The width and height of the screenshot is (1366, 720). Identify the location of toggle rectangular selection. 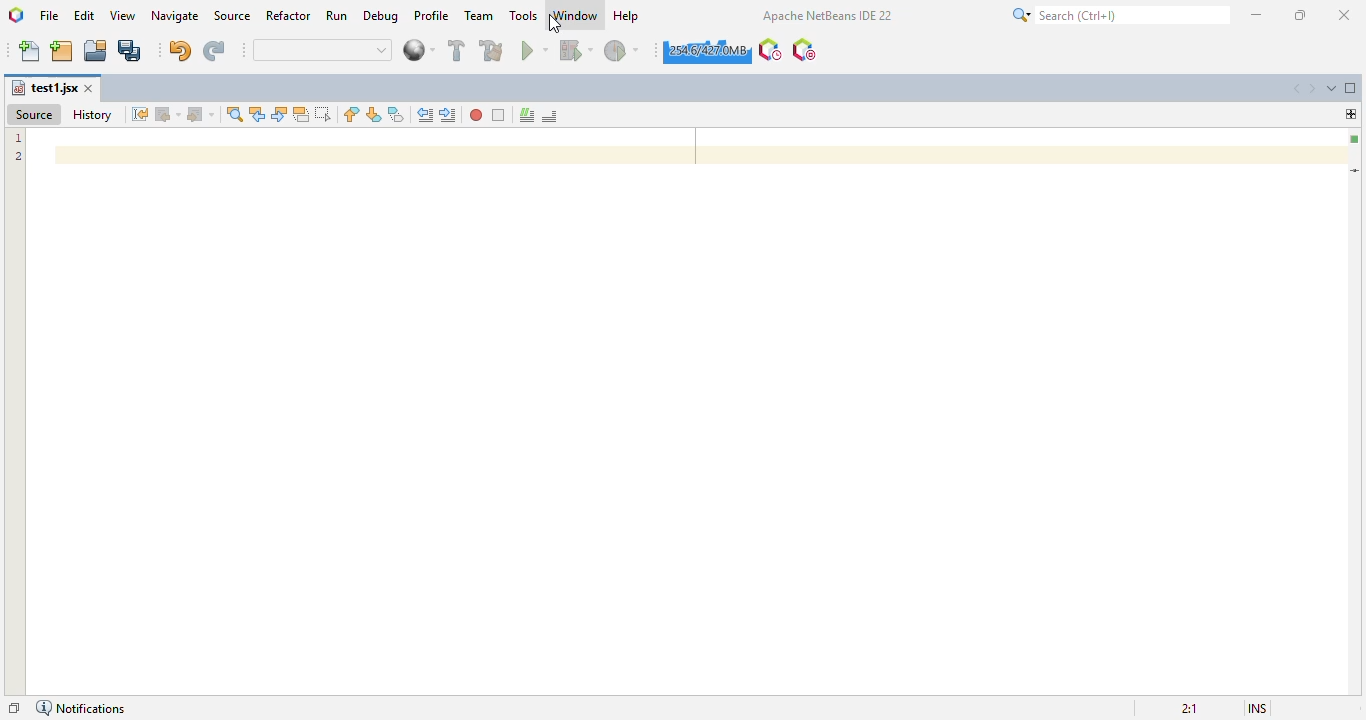
(322, 113).